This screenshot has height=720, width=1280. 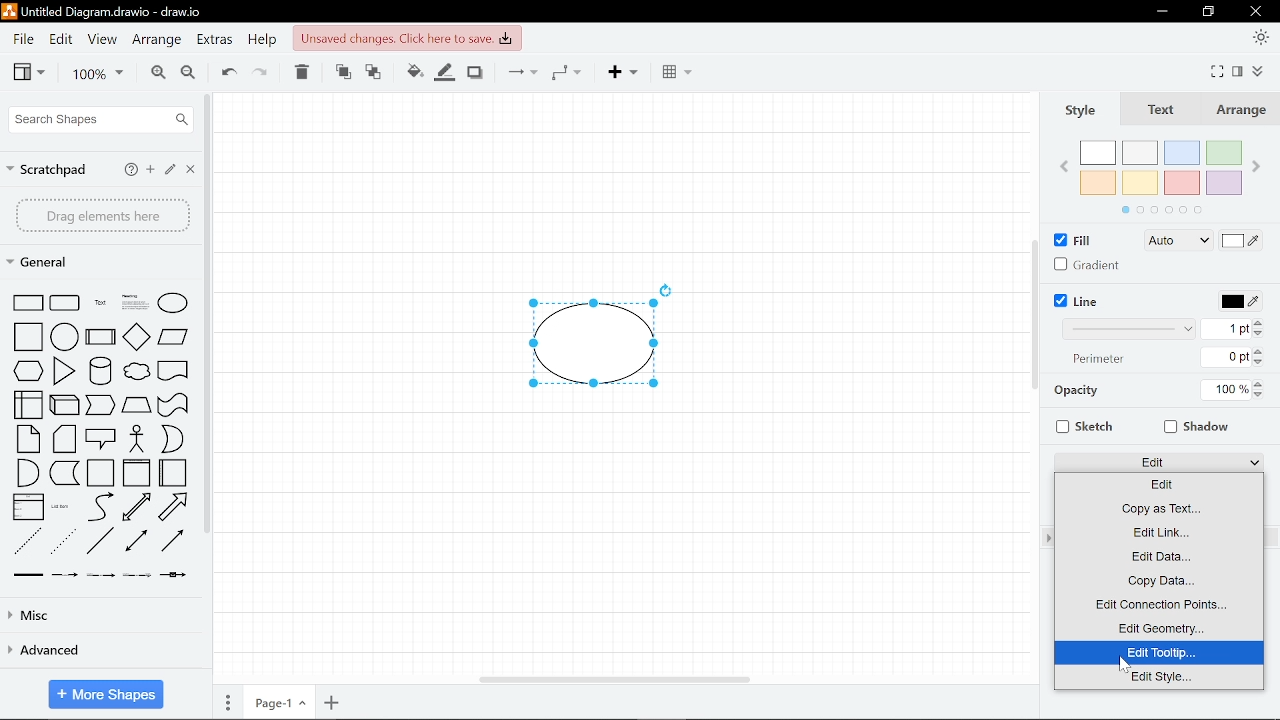 I want to click on and, so click(x=27, y=474).